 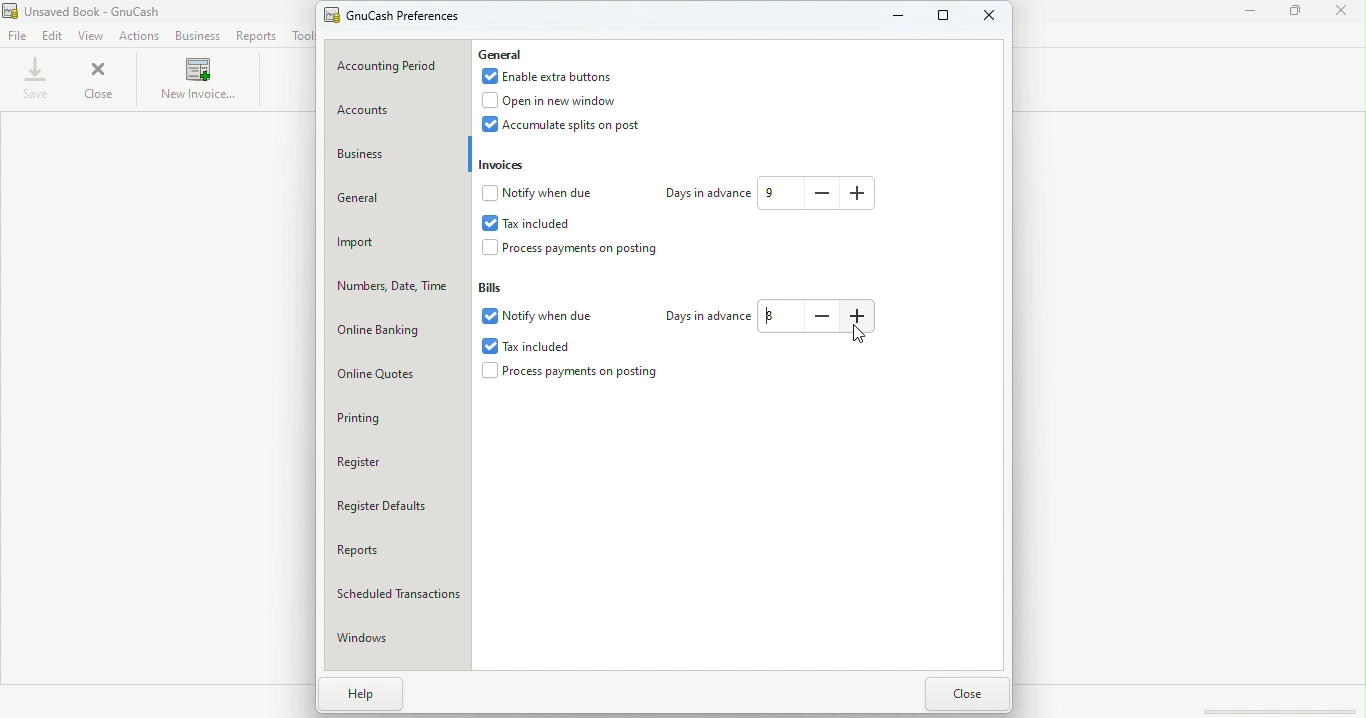 I want to click on Close, so click(x=969, y=694).